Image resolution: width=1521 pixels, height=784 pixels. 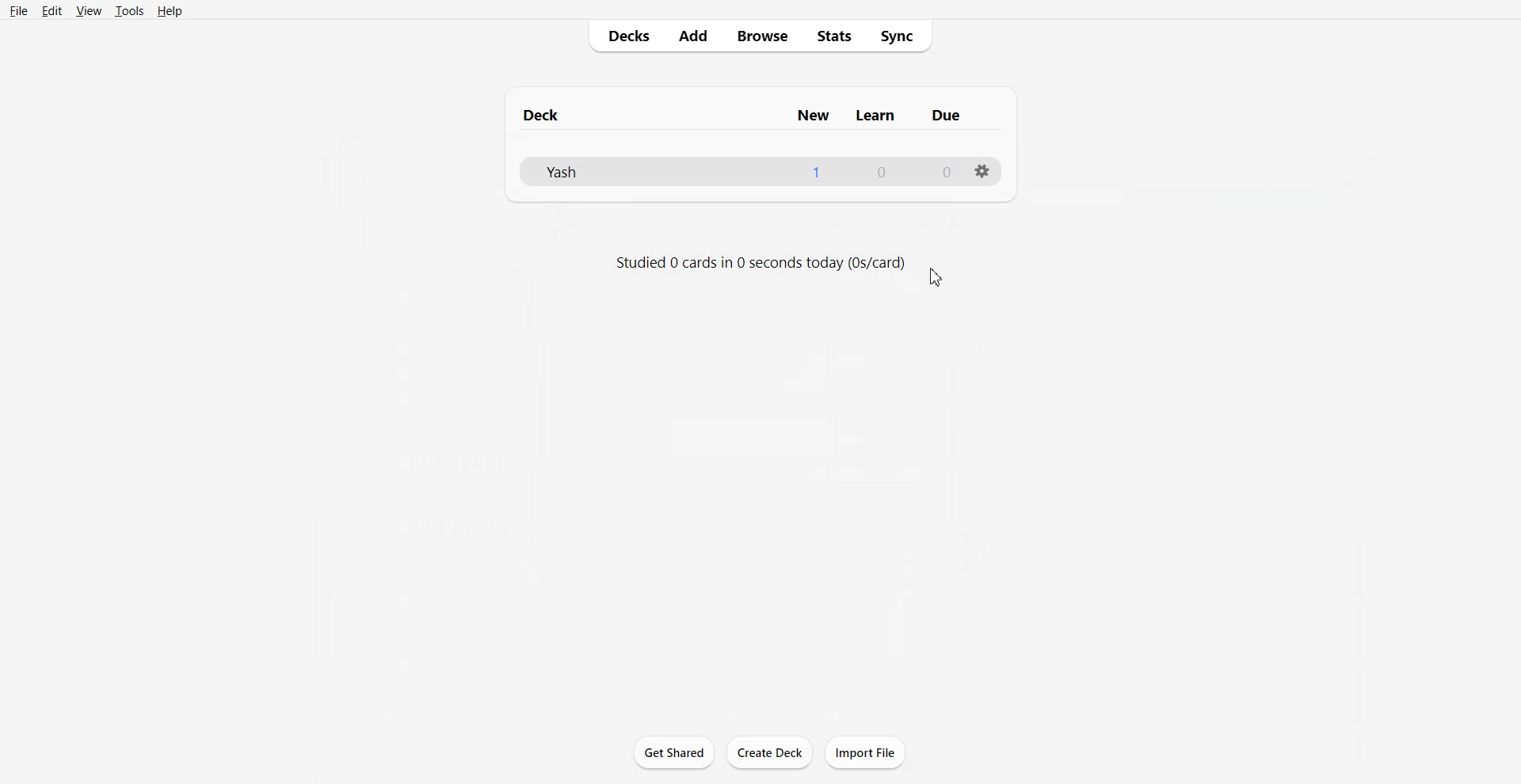 What do you see at coordinates (673, 751) in the screenshot?
I see `Get Shared` at bounding box center [673, 751].